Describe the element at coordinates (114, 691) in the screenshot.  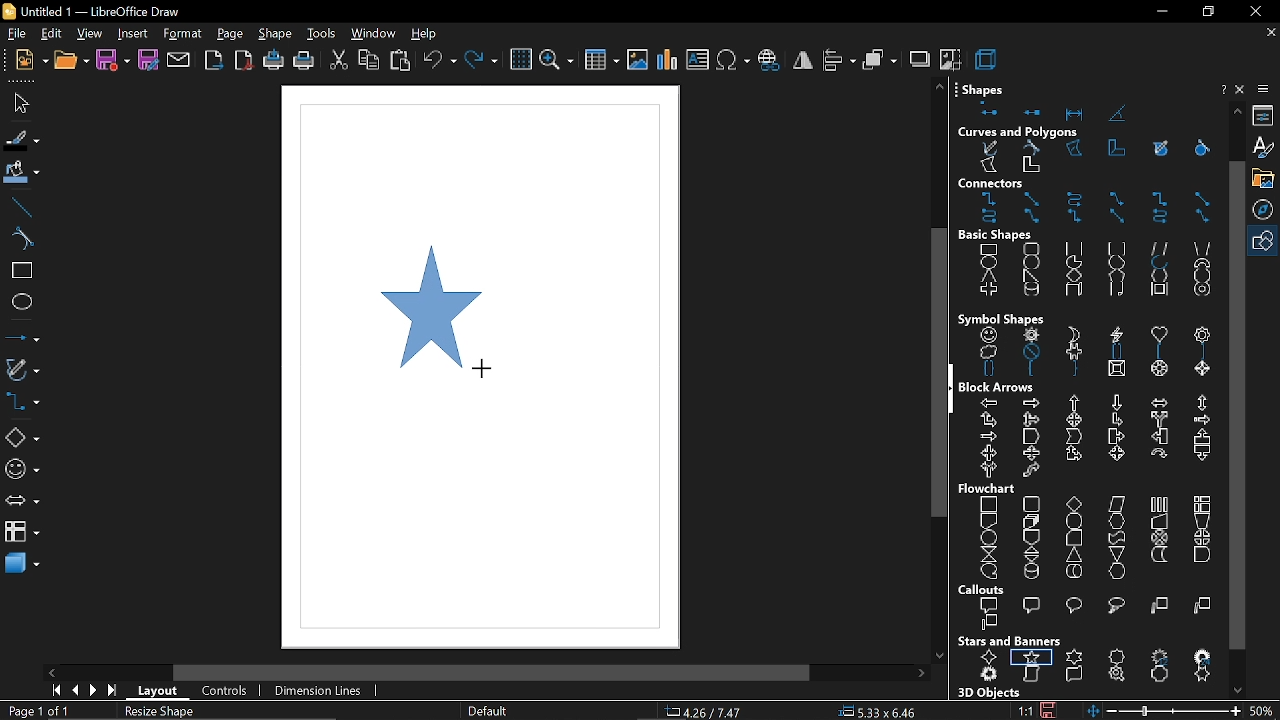
I see `go to last page` at that location.